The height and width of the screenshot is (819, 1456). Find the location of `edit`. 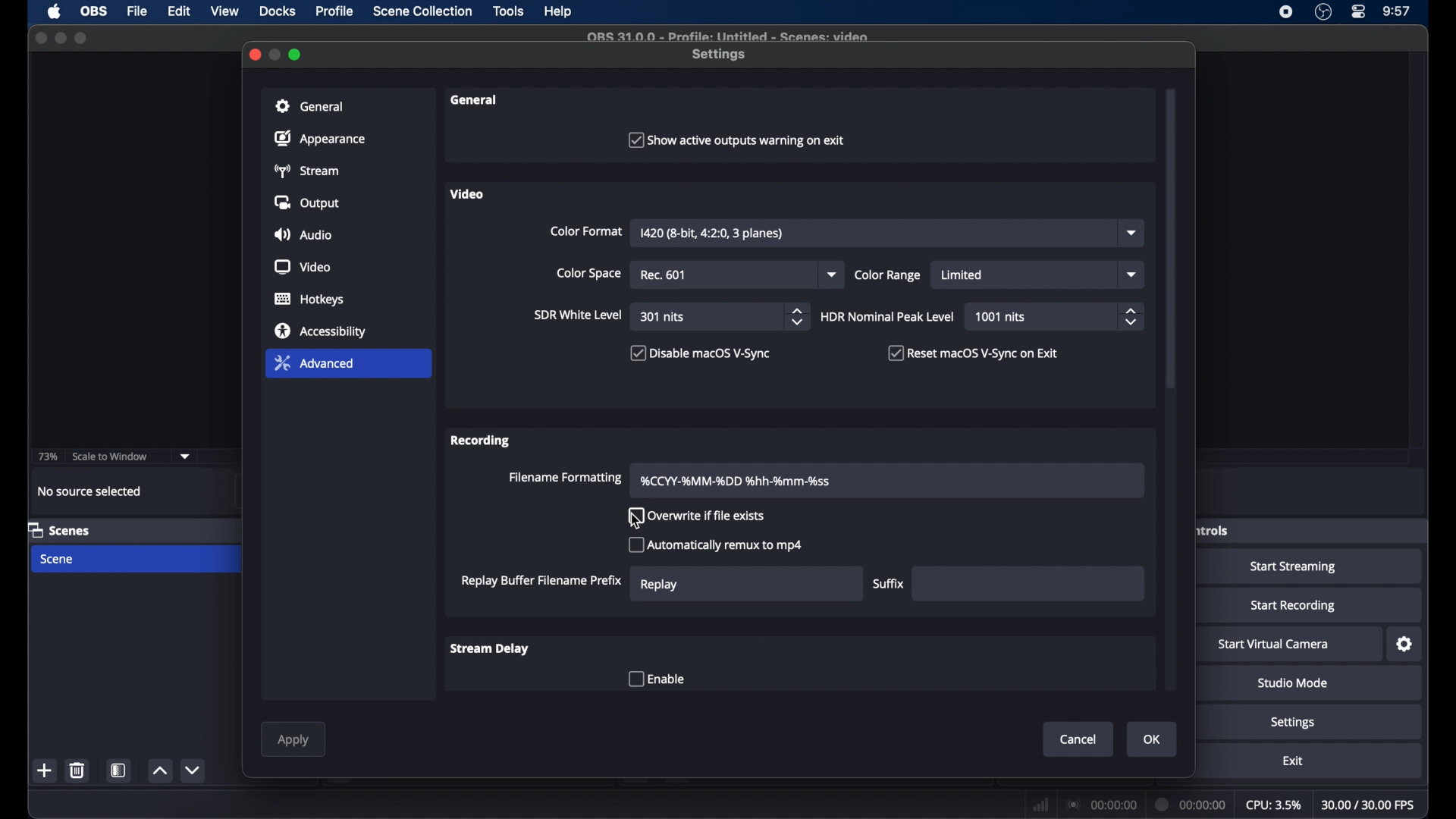

edit is located at coordinates (179, 12).